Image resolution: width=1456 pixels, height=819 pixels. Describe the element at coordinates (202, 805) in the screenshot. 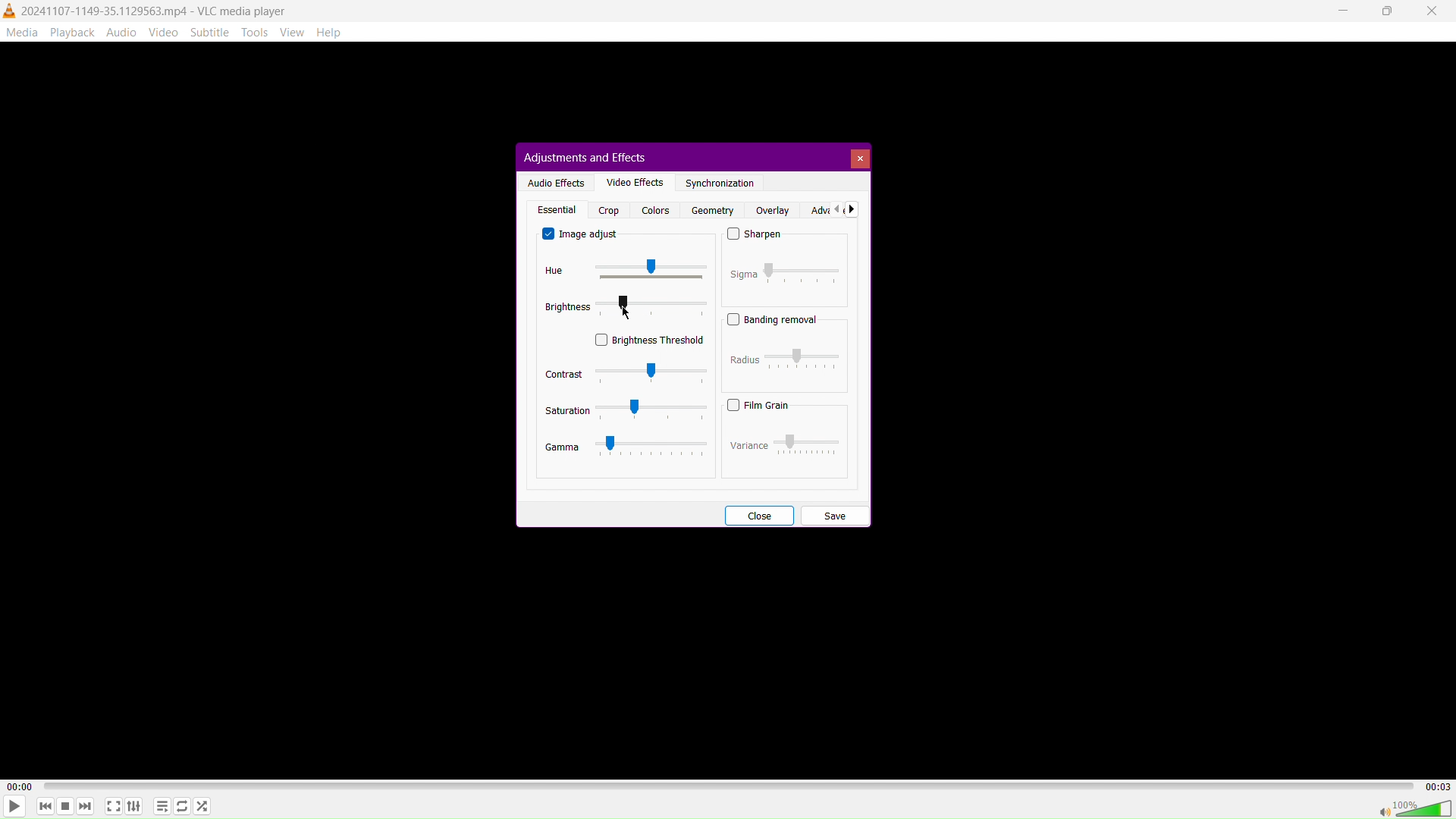

I see `Random` at that location.